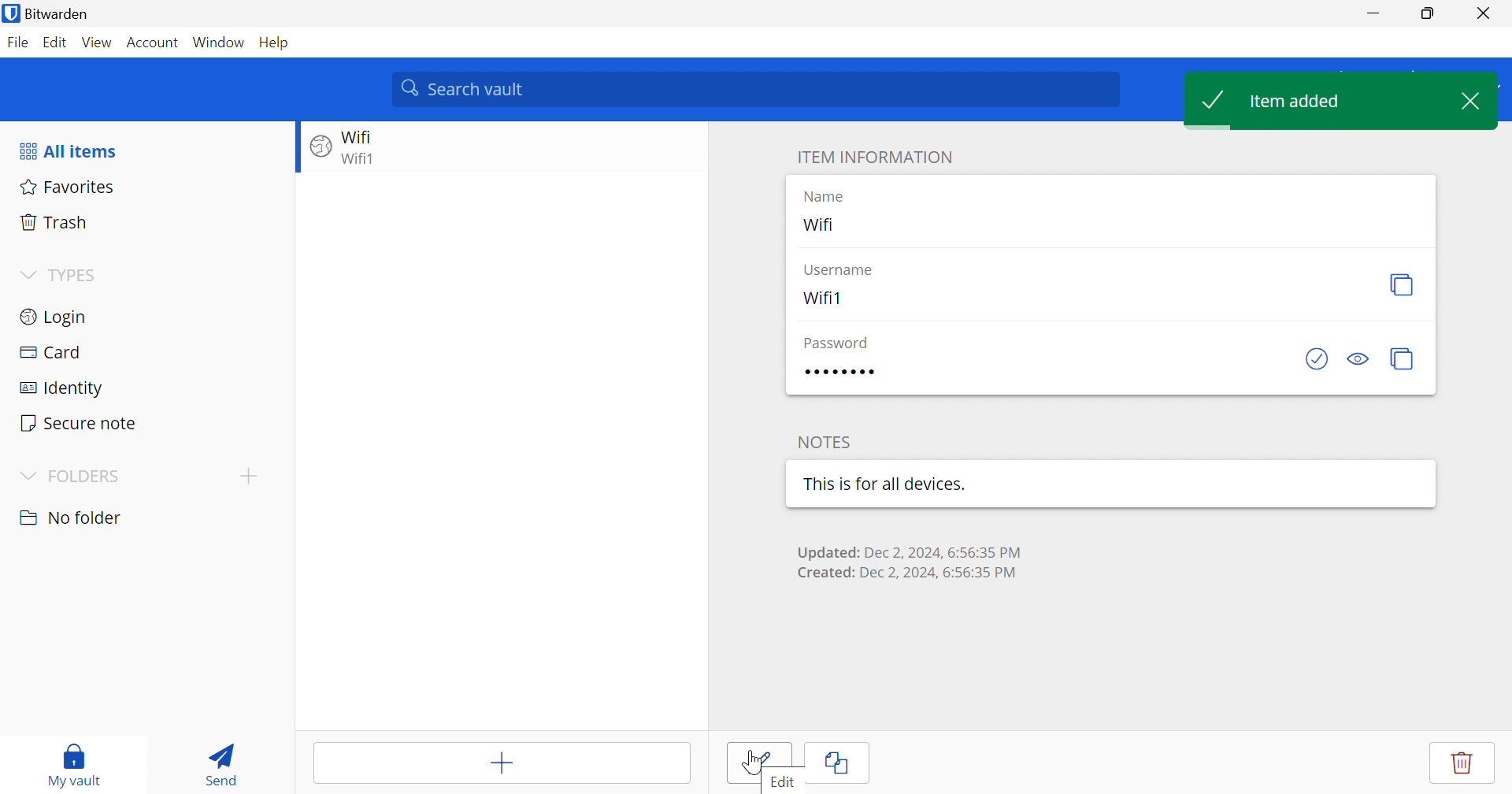  I want to click on Add item, so click(503, 765).